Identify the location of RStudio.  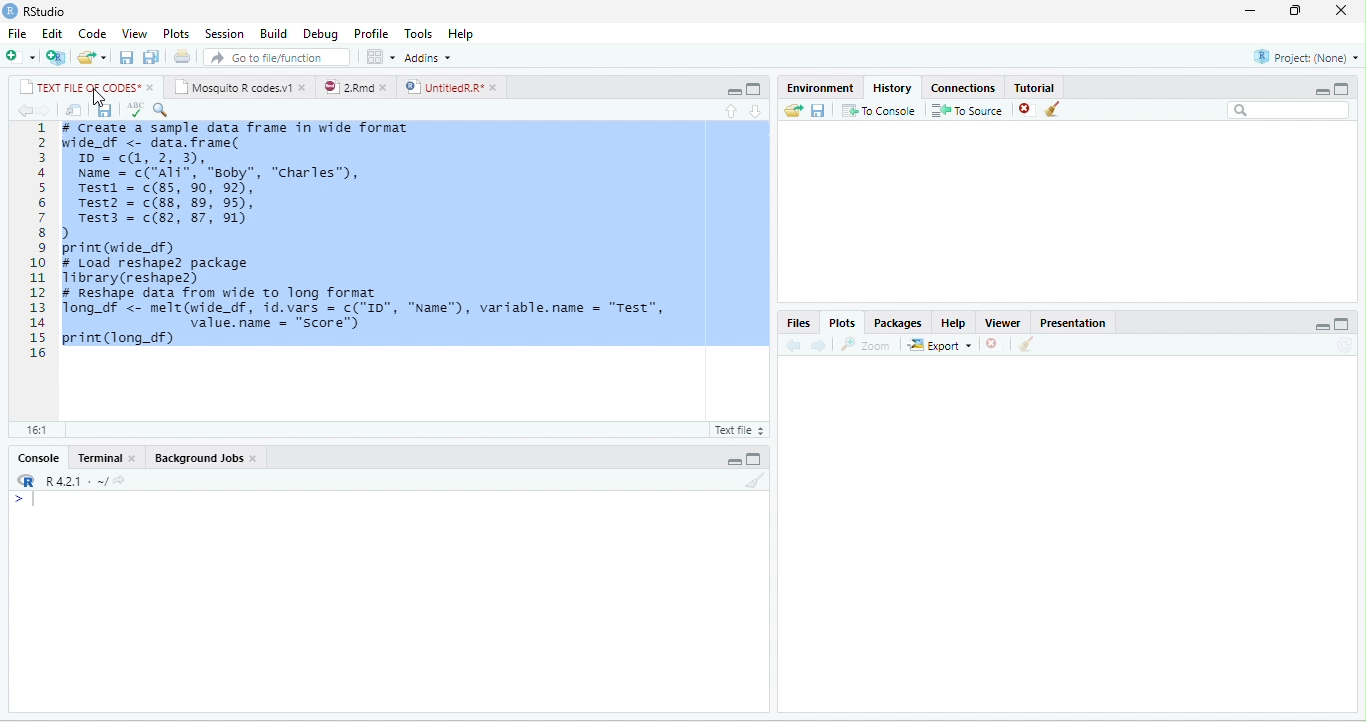
(46, 12).